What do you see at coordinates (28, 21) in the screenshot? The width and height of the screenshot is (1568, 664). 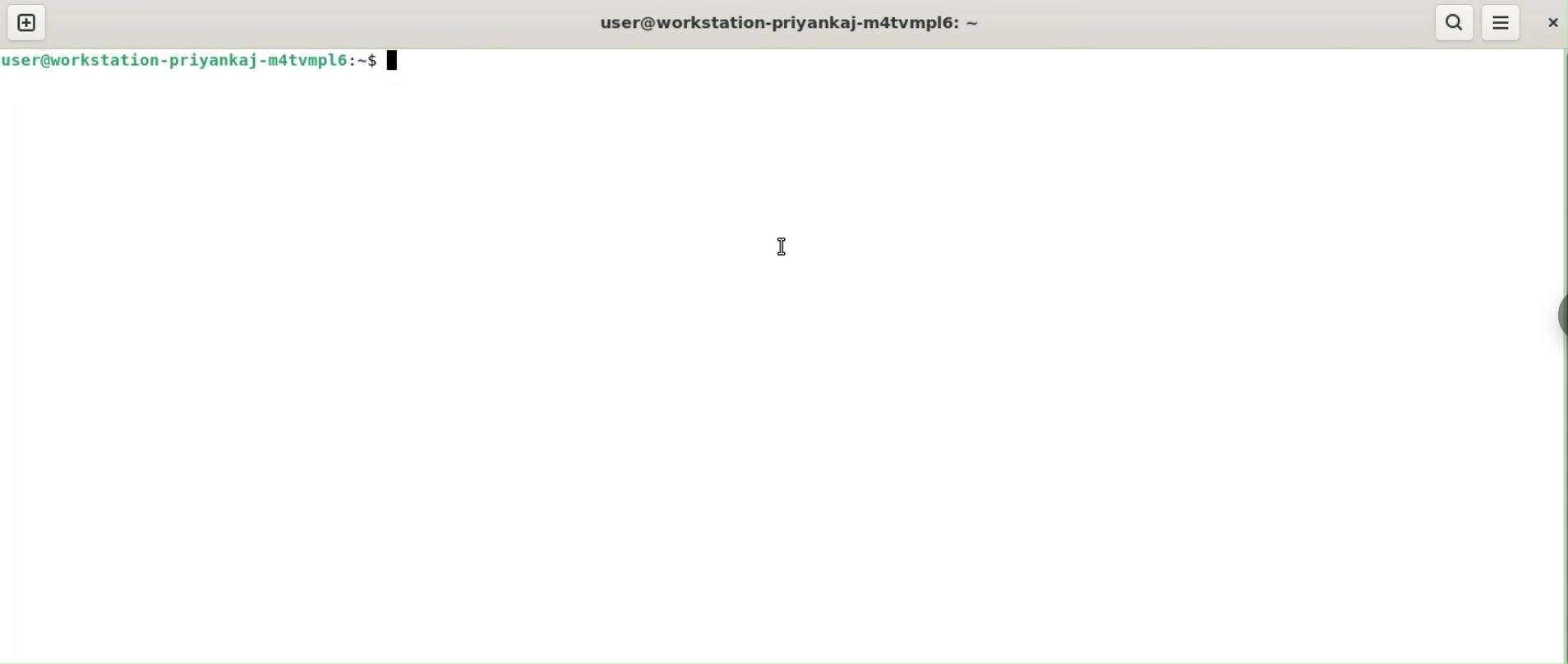 I see `new tab` at bounding box center [28, 21].